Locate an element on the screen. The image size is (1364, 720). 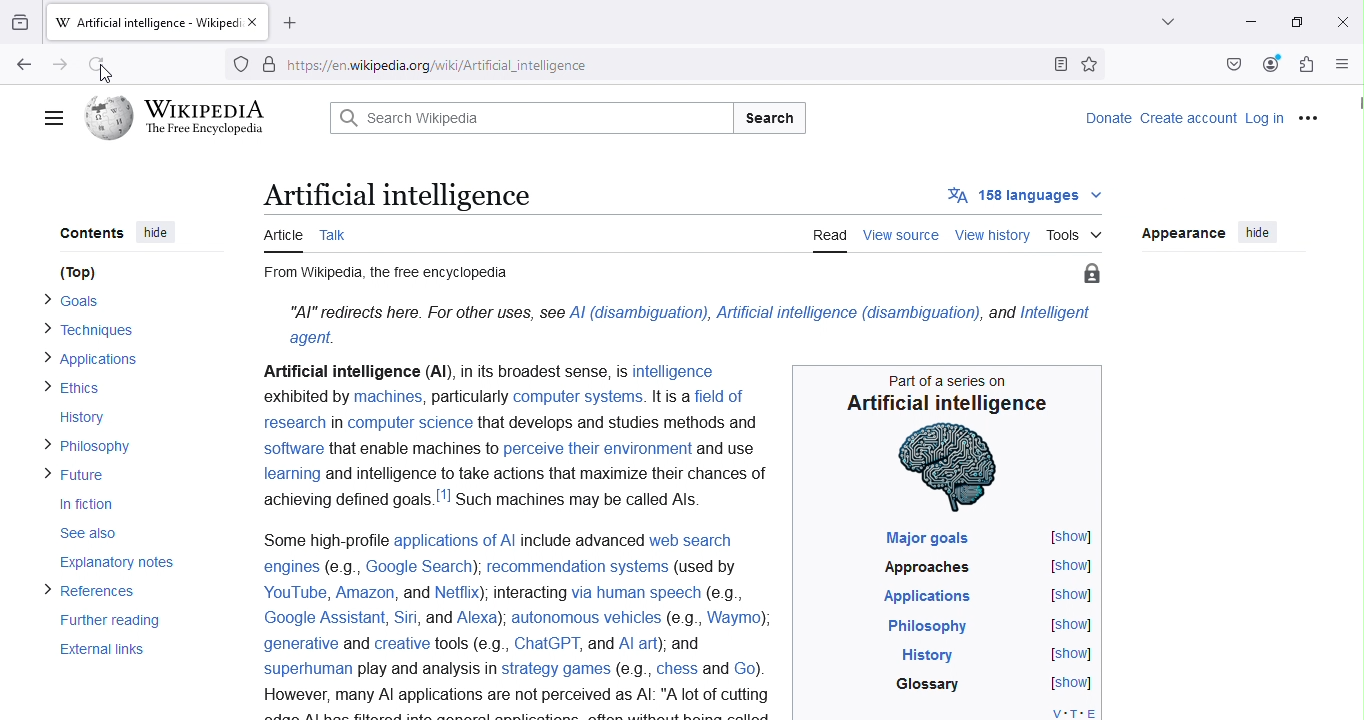
exhibited by is located at coordinates (301, 395).